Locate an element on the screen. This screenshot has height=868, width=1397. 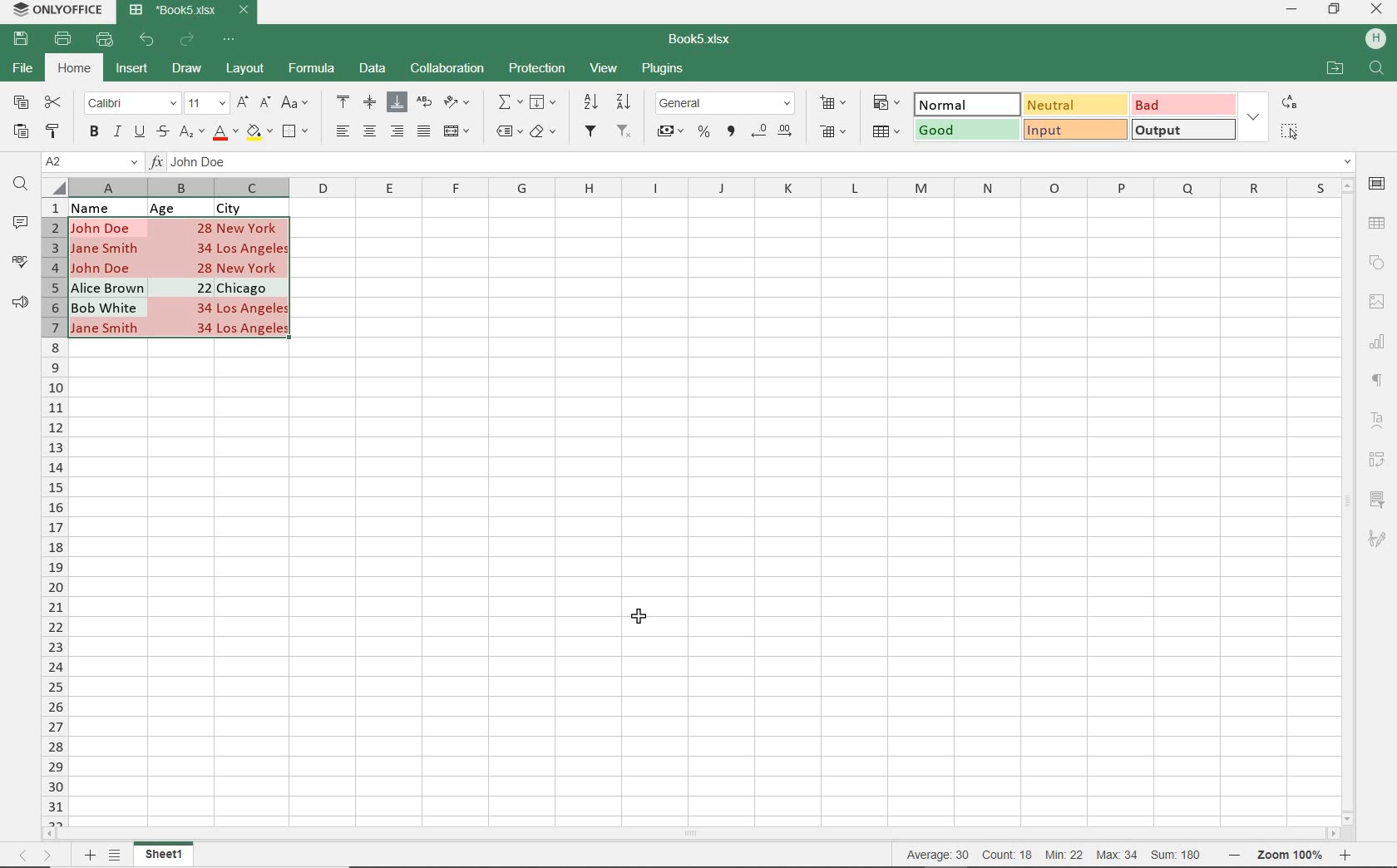
CUSTOMIZE QUICK ACCESS TOOLBAR is located at coordinates (234, 38).